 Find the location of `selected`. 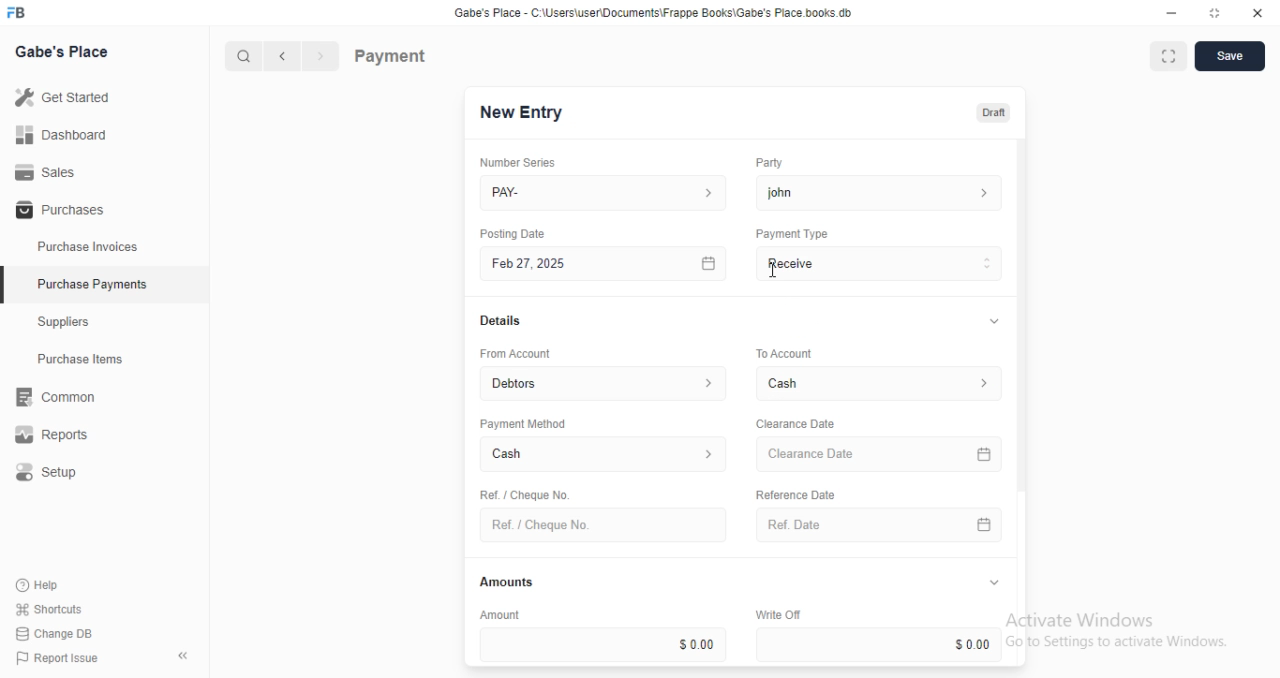

selected is located at coordinates (8, 287).